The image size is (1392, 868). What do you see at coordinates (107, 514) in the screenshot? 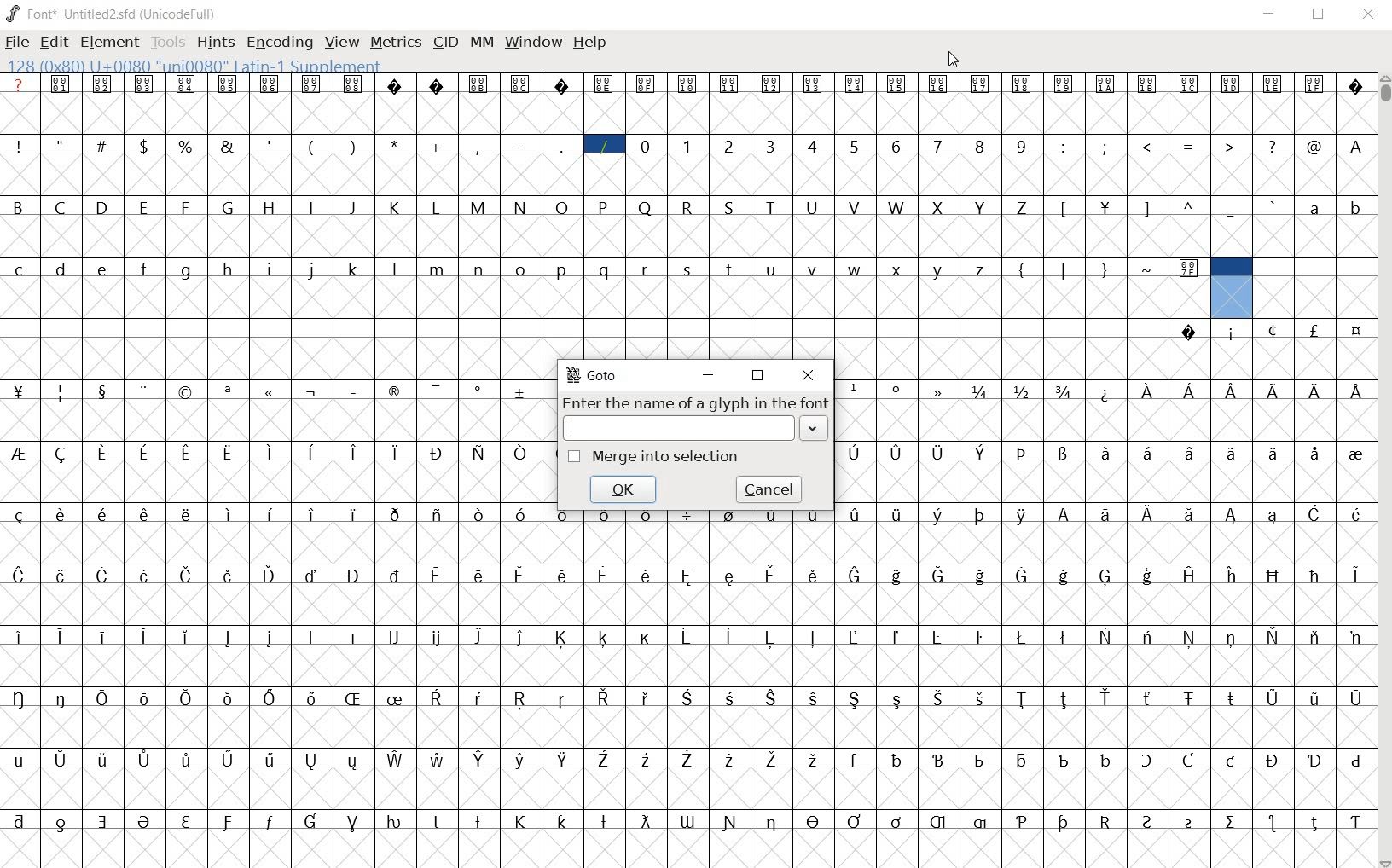
I see `Symbol` at bounding box center [107, 514].